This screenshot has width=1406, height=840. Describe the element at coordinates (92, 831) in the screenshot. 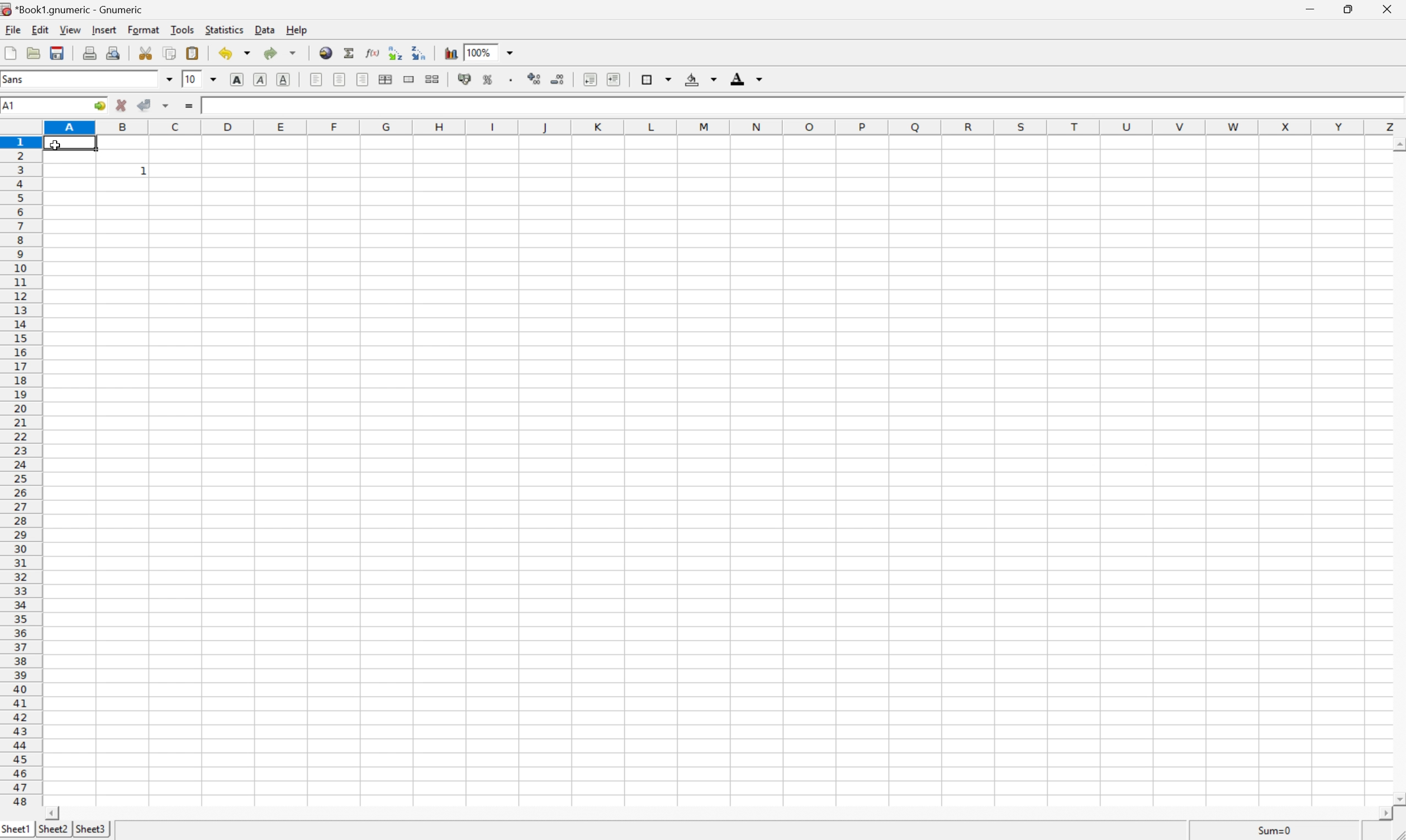

I see `sheet3` at that location.